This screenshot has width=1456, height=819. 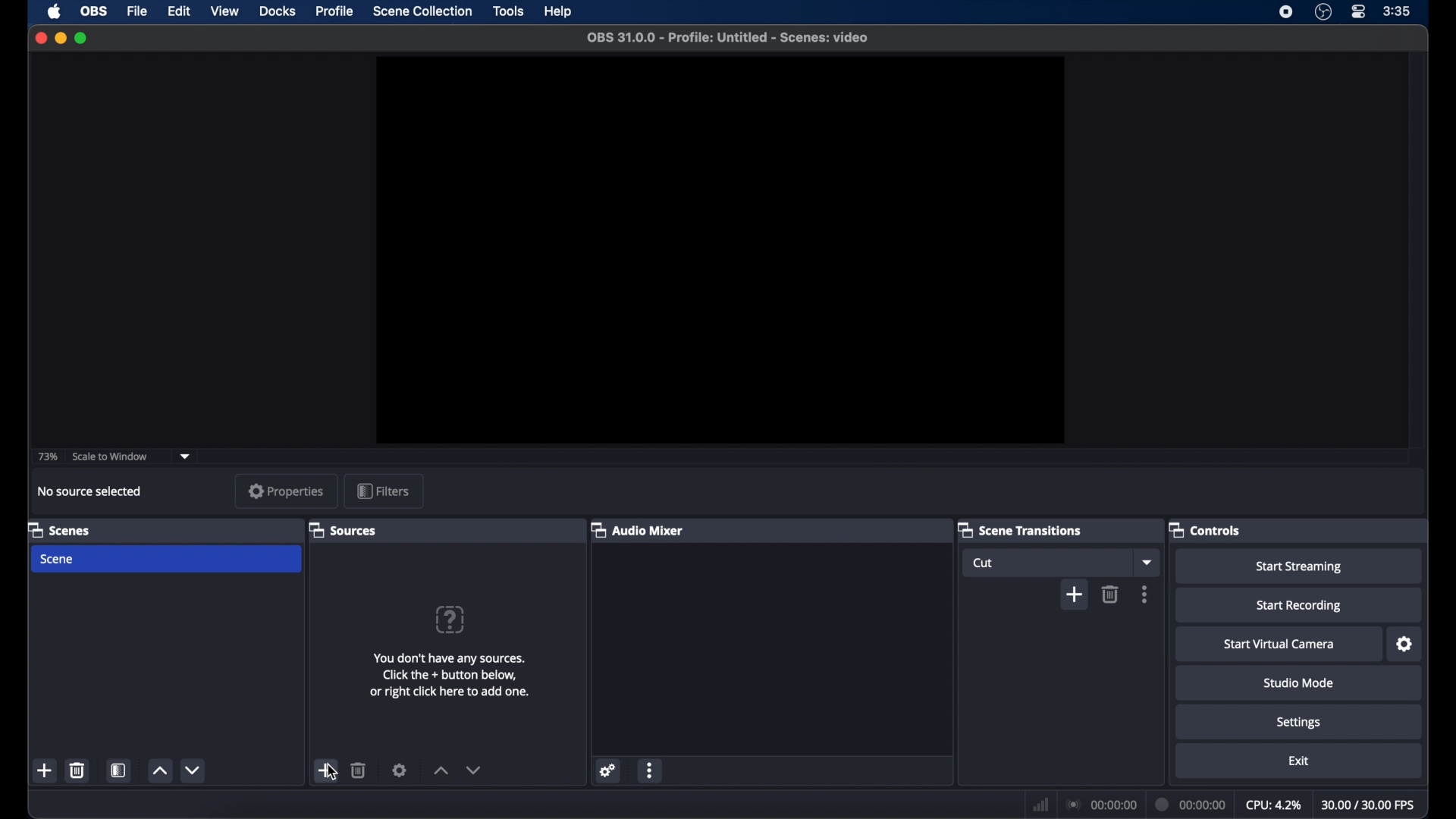 I want to click on start recording, so click(x=1300, y=607).